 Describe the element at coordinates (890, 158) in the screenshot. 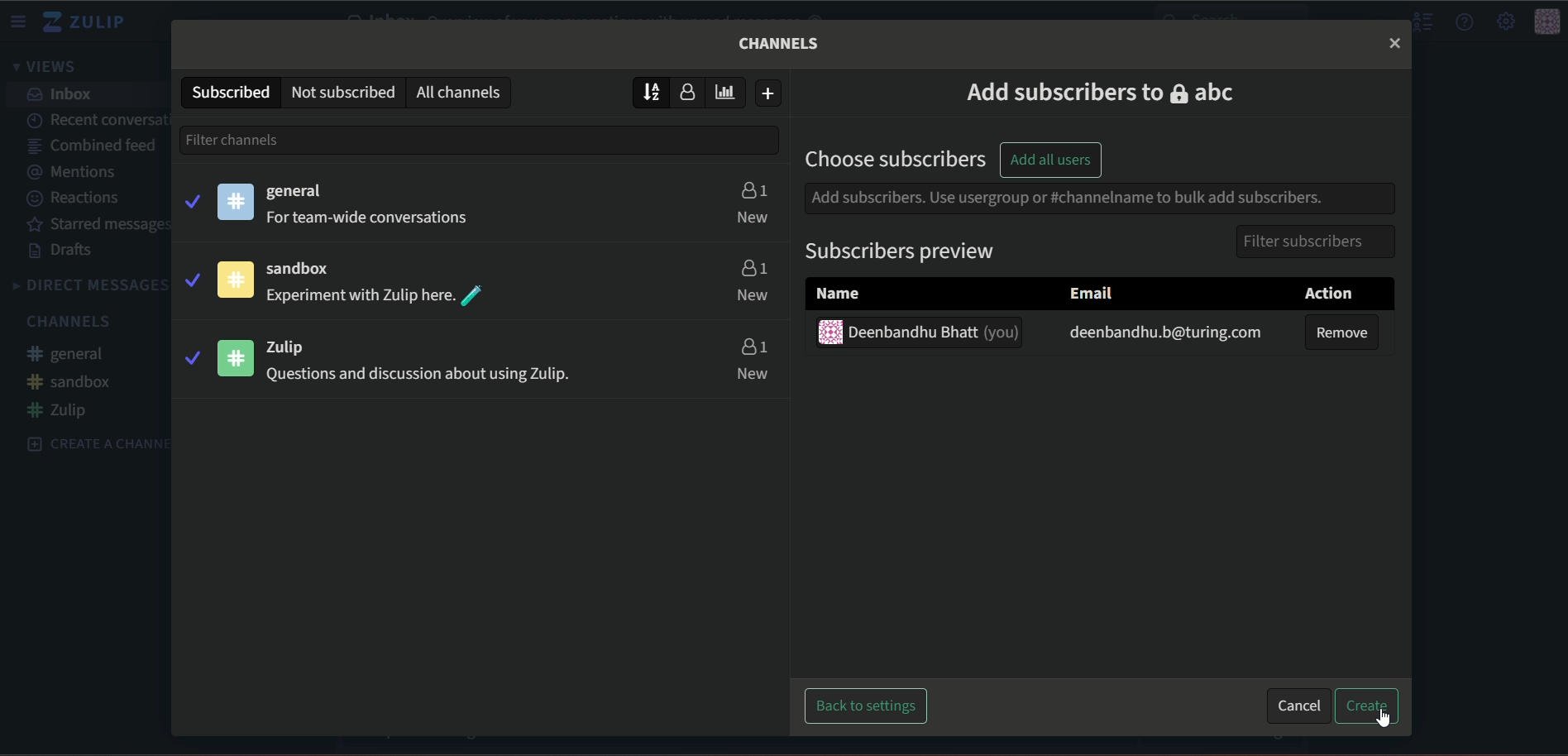

I see `choose subscribers` at that location.